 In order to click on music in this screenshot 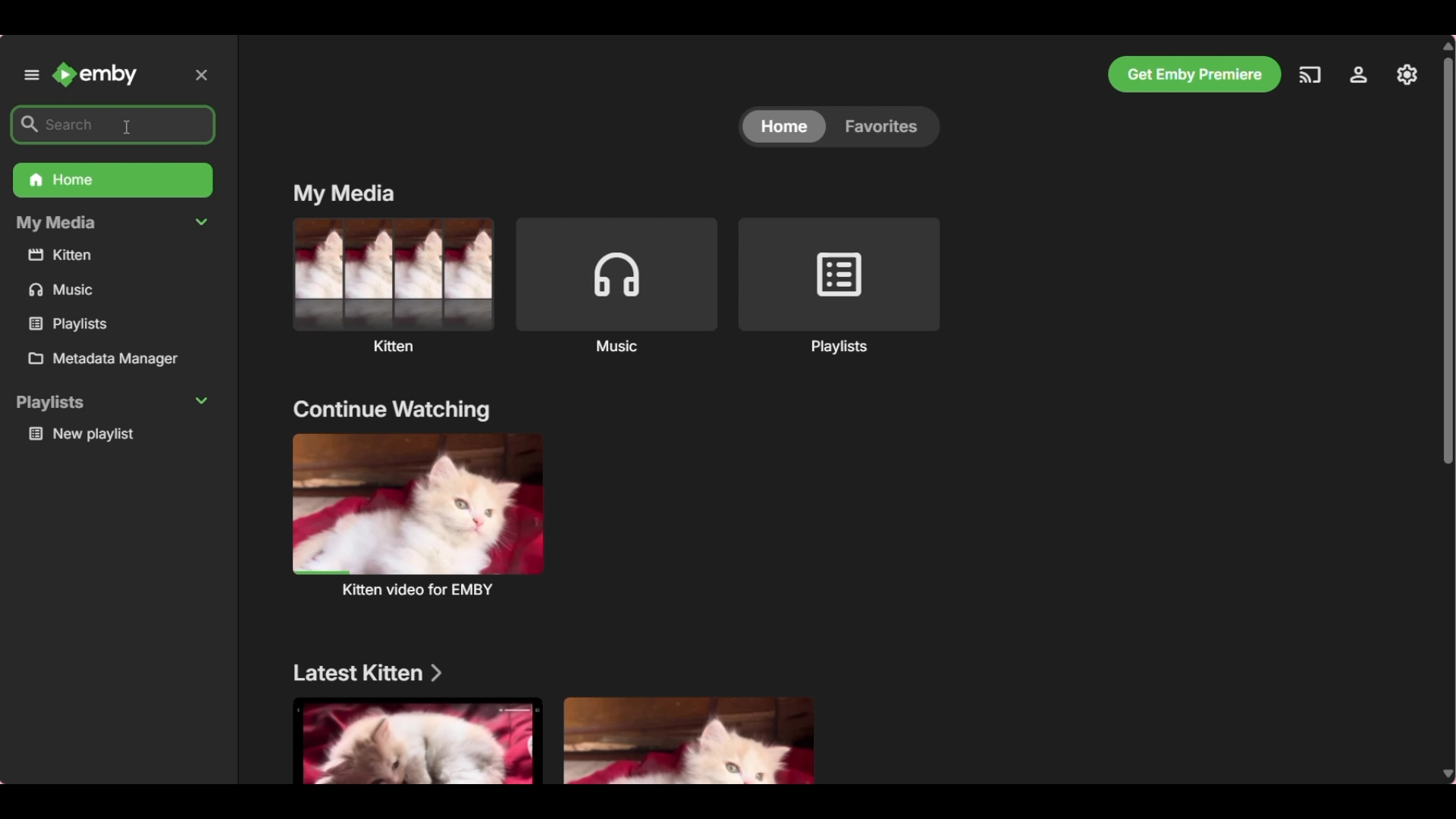, I will do `click(115, 291)`.